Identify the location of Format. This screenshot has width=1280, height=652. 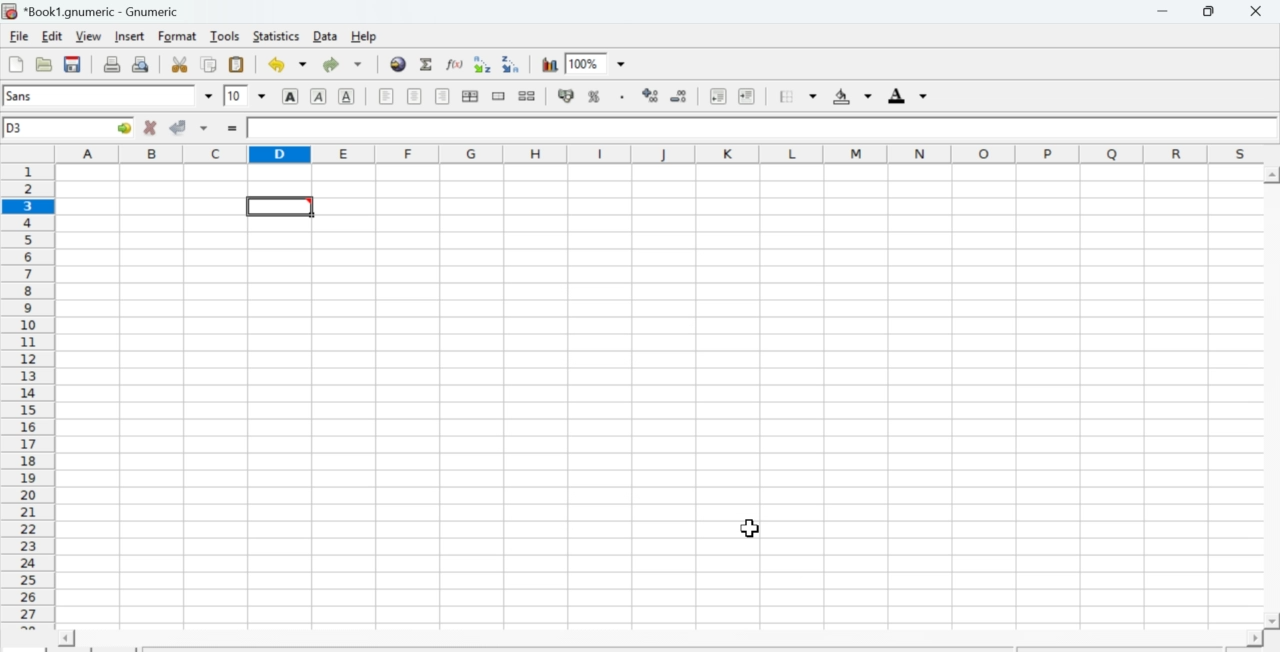
(178, 36).